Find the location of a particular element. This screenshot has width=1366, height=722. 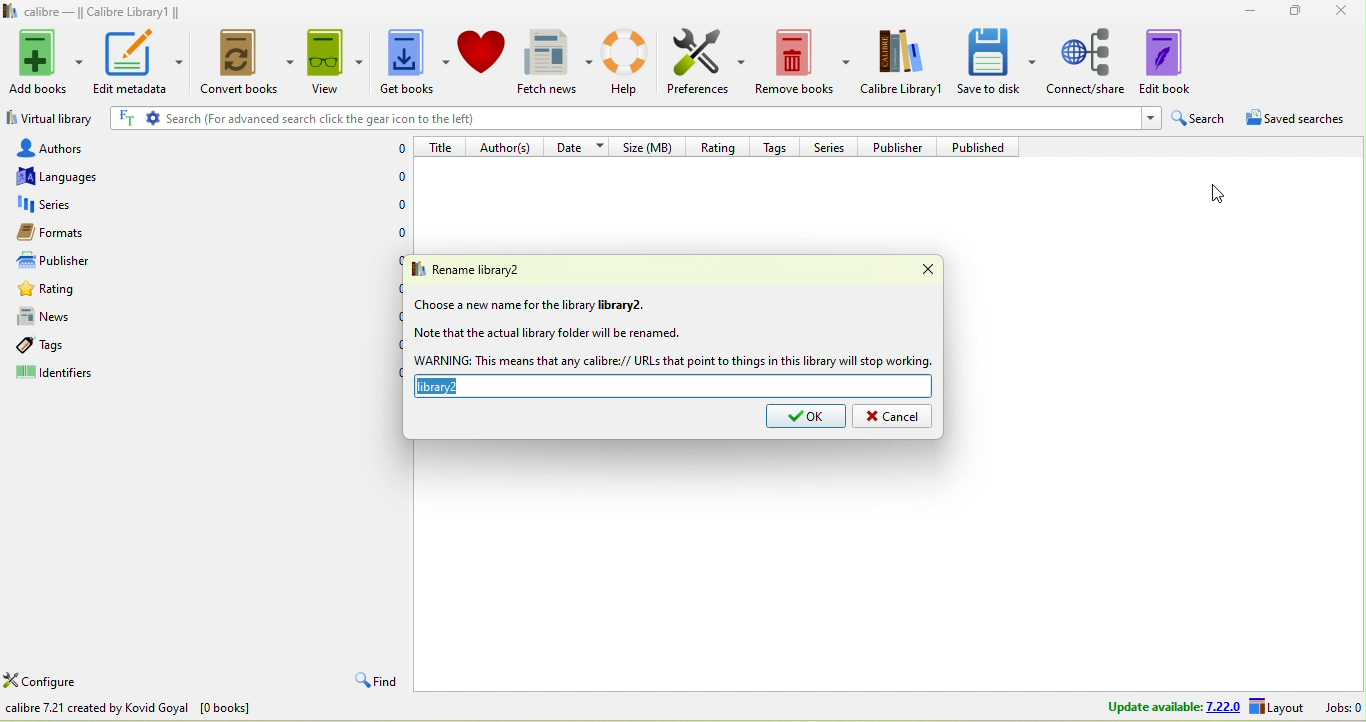

0 is located at coordinates (389, 314).